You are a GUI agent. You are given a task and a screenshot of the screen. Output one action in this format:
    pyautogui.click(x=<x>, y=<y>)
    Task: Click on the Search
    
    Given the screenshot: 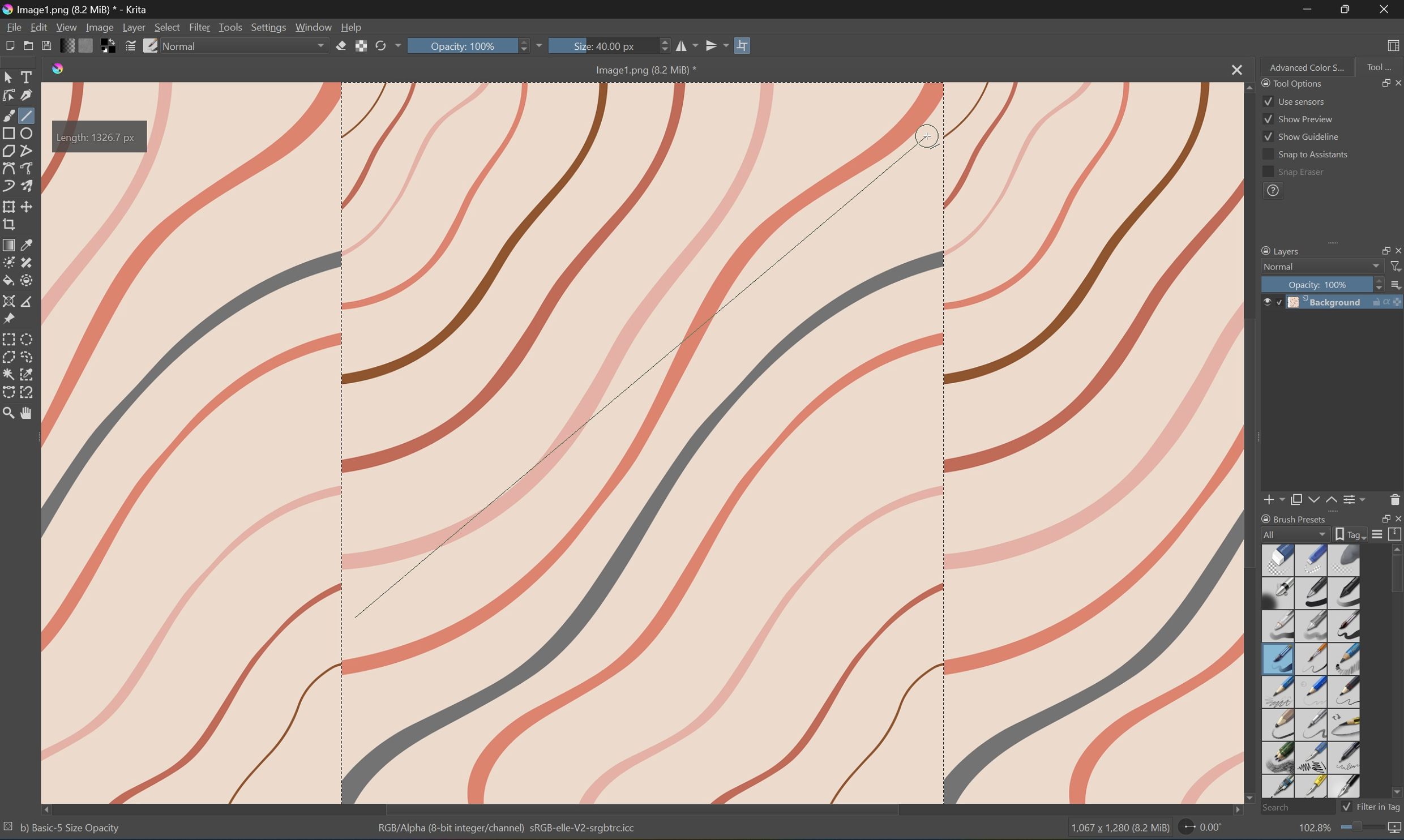 What is the action you would take?
    pyautogui.click(x=1294, y=807)
    